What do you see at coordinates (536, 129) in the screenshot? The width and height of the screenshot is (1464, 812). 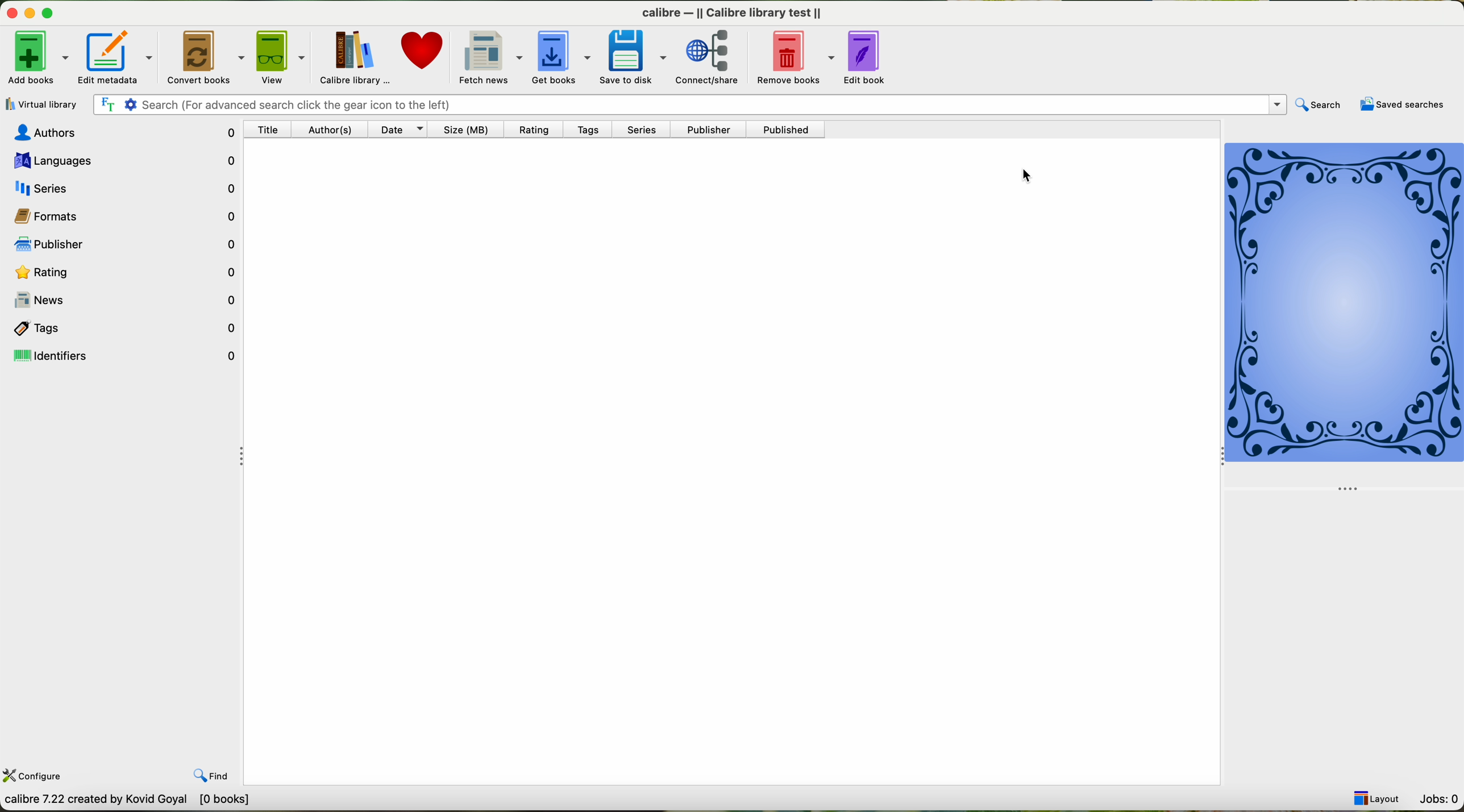 I see `rating` at bounding box center [536, 129].